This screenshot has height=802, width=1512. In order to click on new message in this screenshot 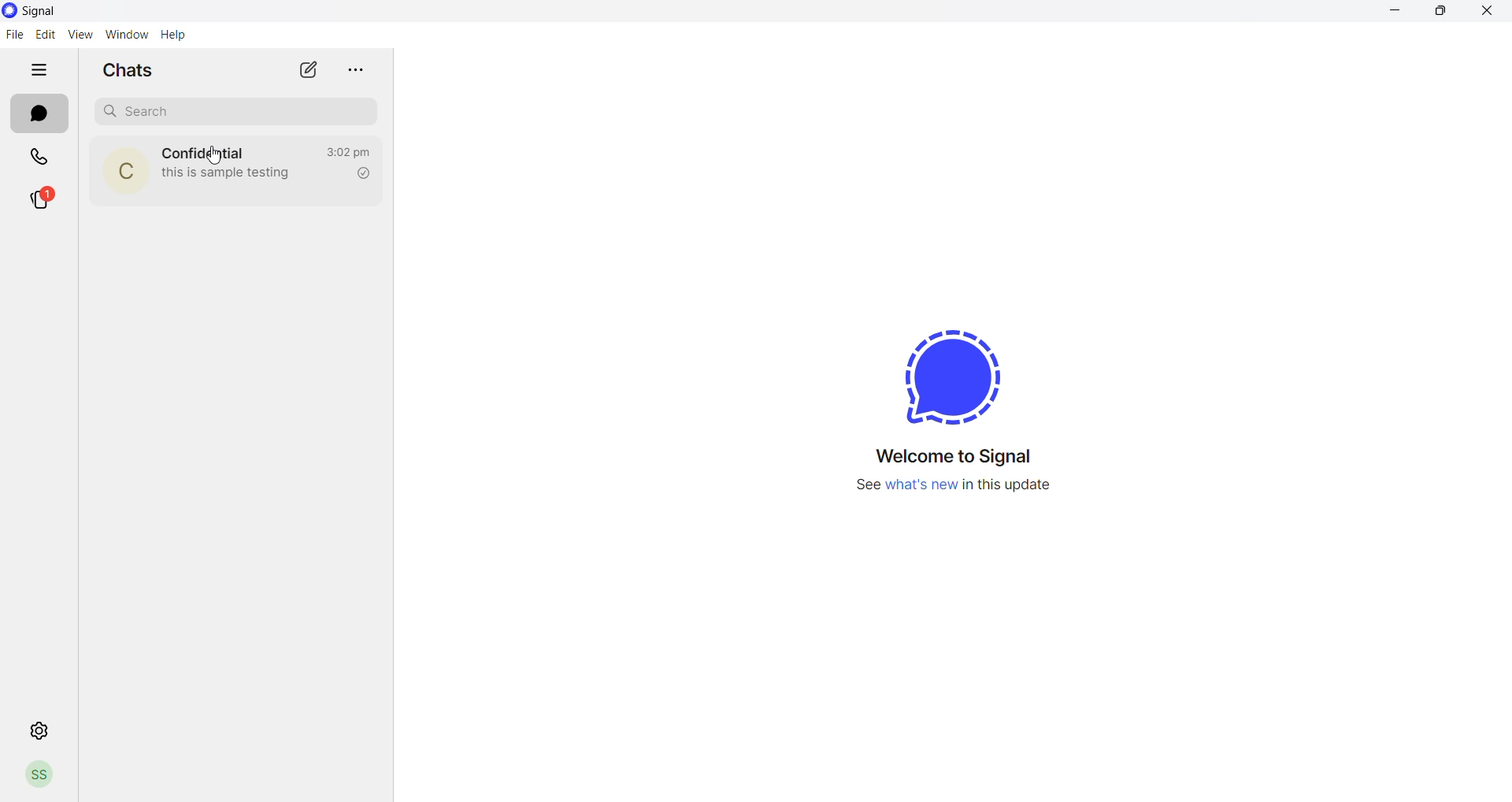, I will do `click(311, 69)`.